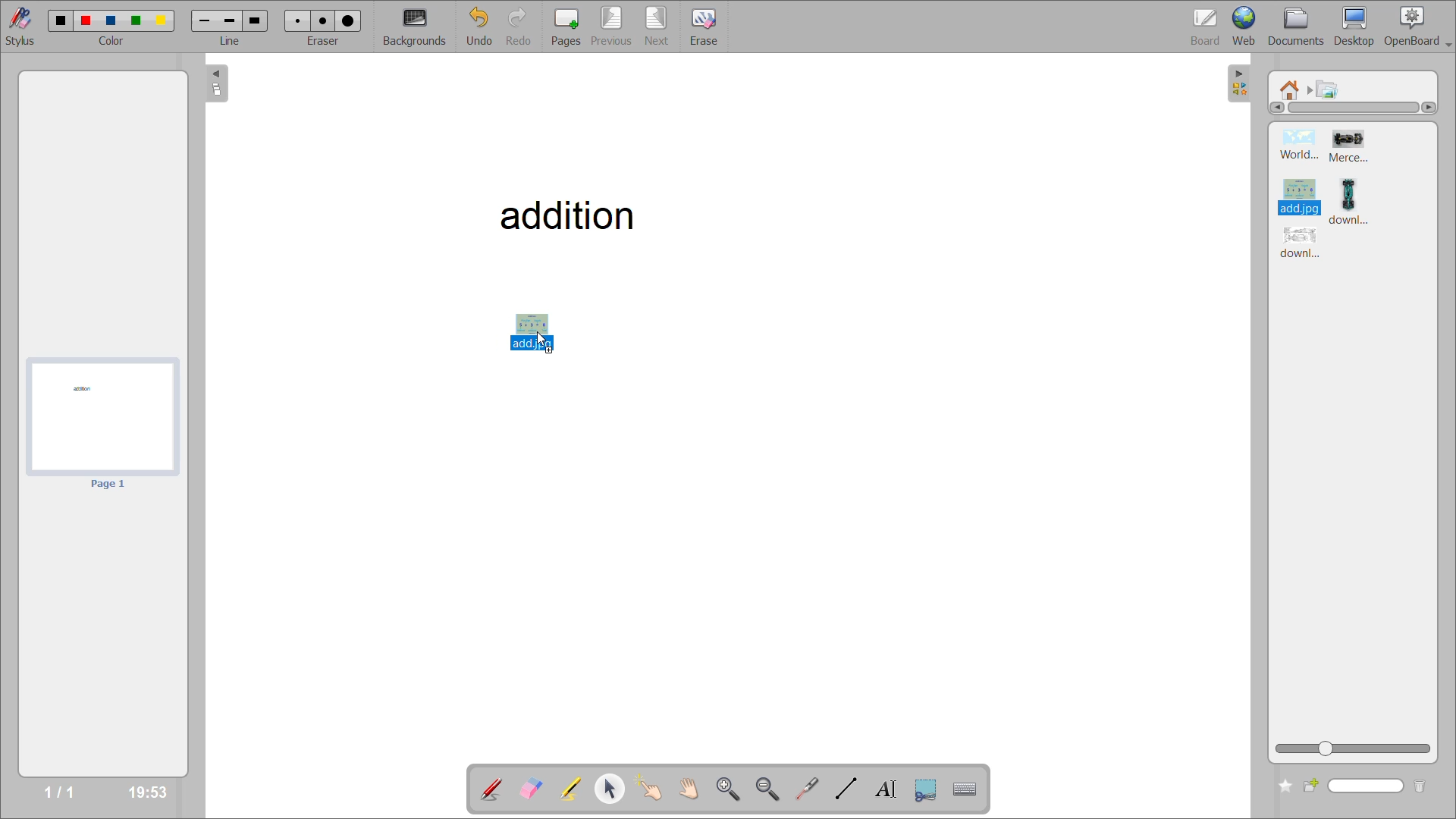  I want to click on redo, so click(523, 27).